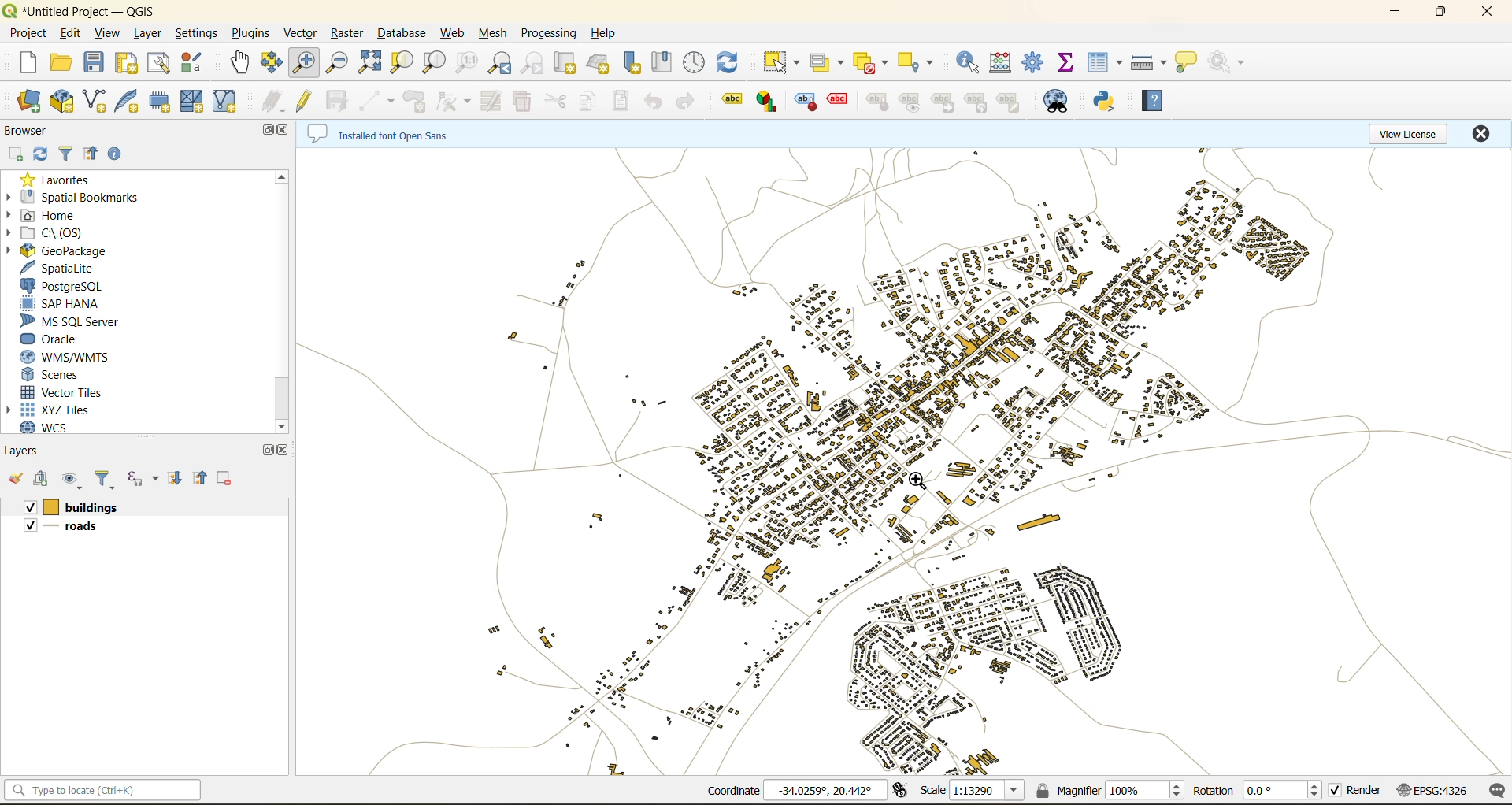 The height and width of the screenshot is (805, 1512). What do you see at coordinates (32, 65) in the screenshot?
I see `new` at bounding box center [32, 65].